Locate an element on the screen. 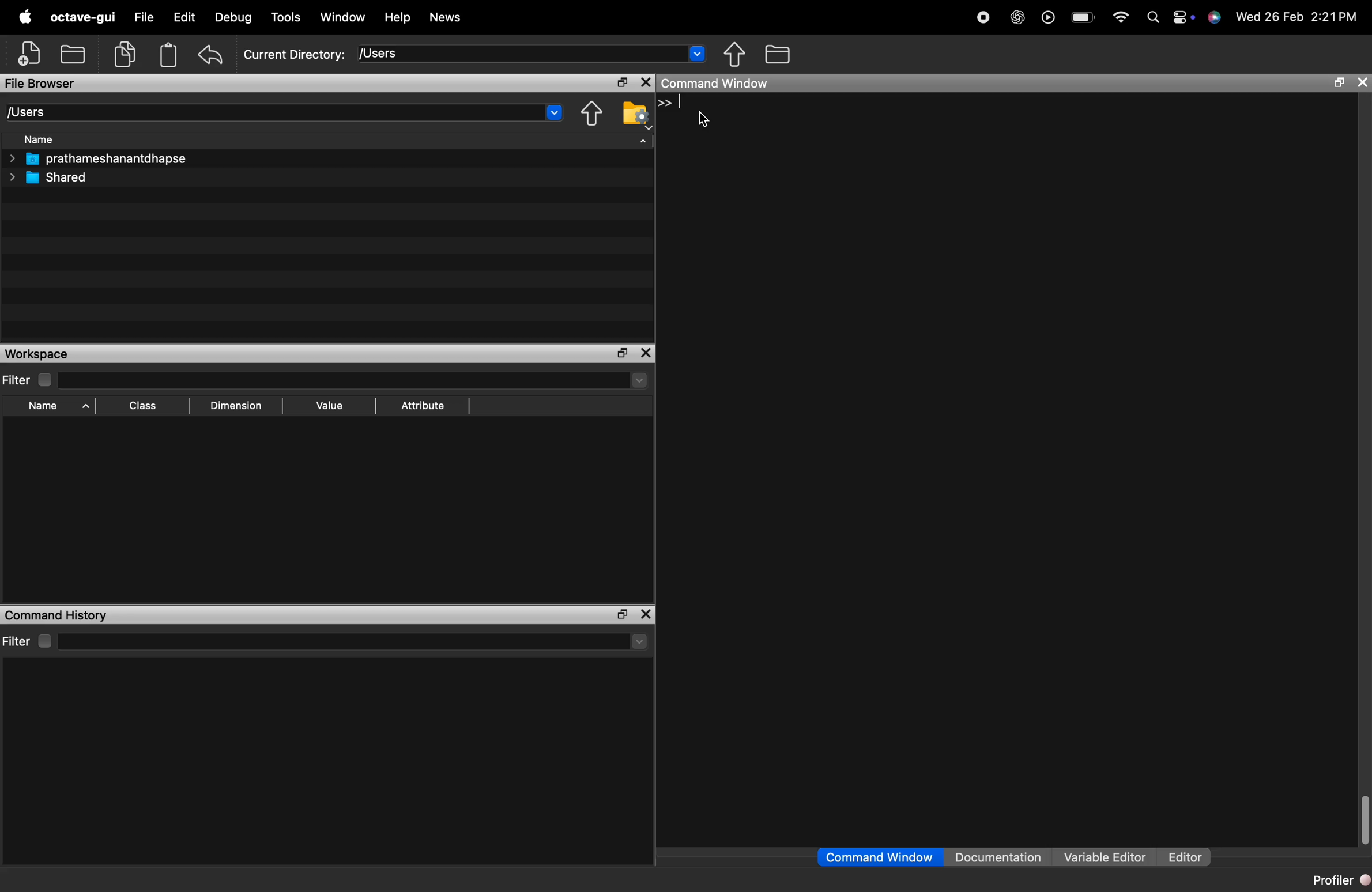 Image resolution: width=1372 pixels, height=892 pixels. Value is located at coordinates (329, 405).